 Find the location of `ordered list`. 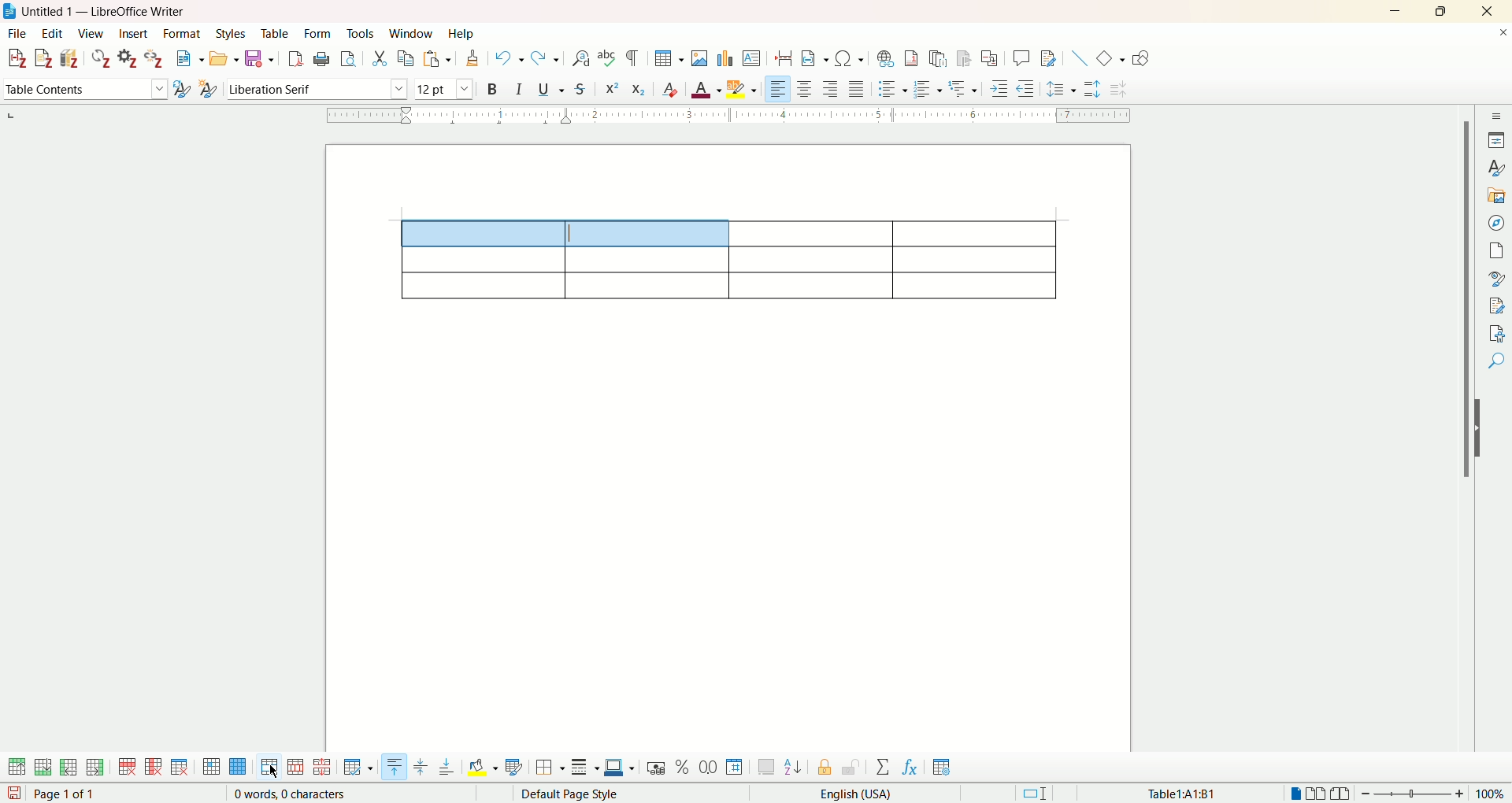

ordered list is located at coordinates (927, 90).